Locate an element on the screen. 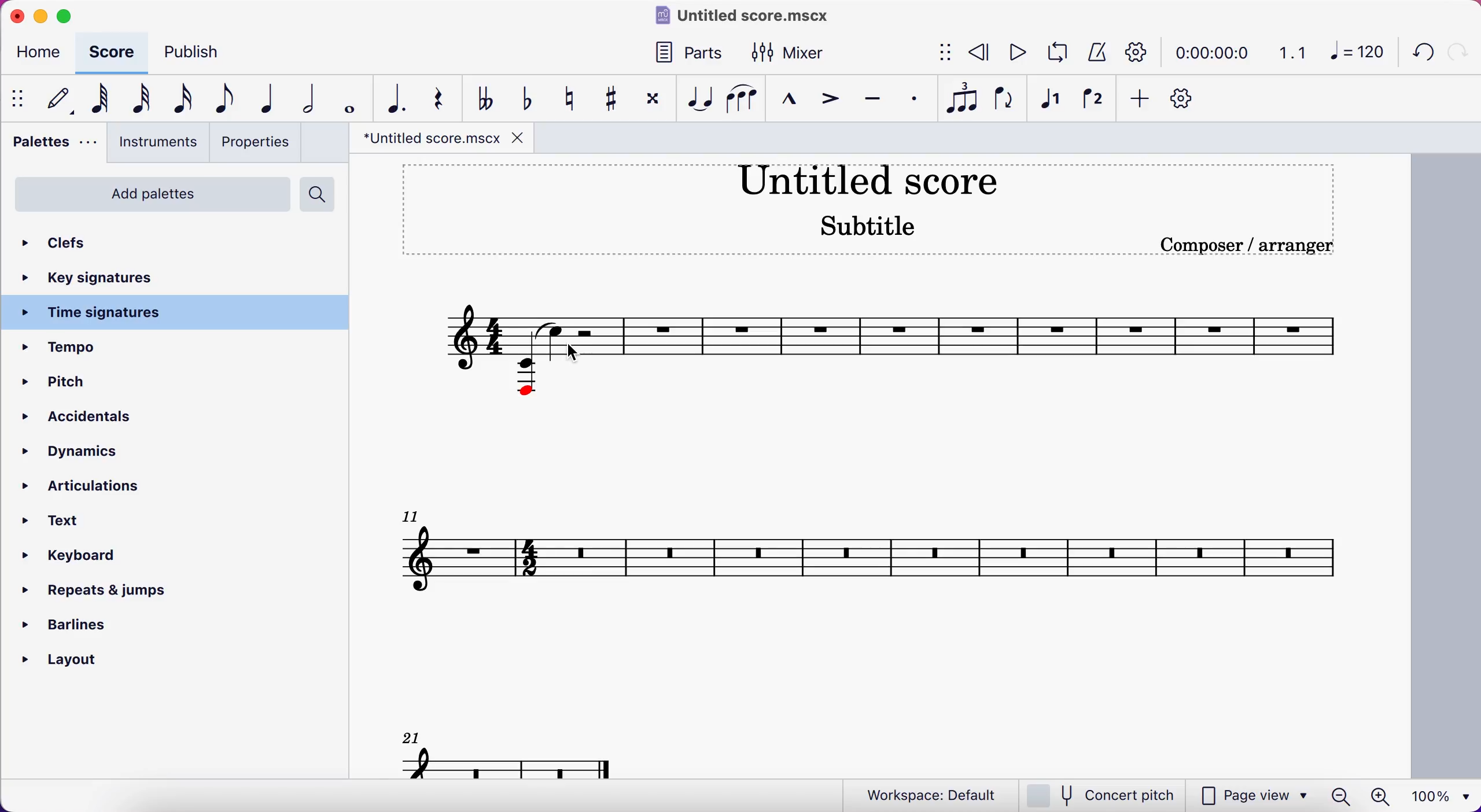 The width and height of the screenshot is (1481, 812). toggle double sharp is located at coordinates (651, 102).